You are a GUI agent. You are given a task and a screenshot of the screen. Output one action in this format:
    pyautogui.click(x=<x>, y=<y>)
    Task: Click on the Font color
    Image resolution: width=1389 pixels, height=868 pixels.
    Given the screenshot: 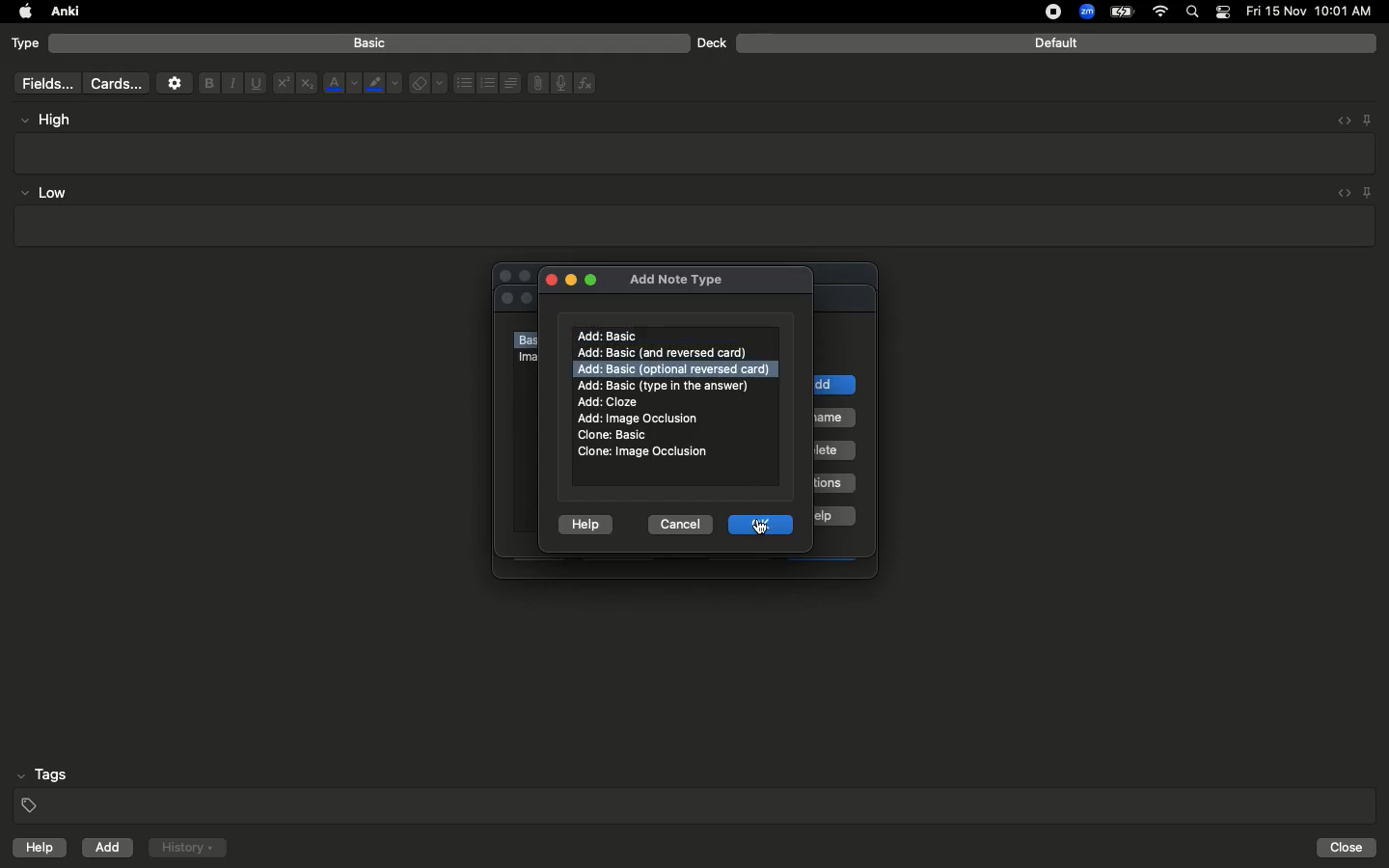 What is the action you would take?
    pyautogui.click(x=340, y=83)
    